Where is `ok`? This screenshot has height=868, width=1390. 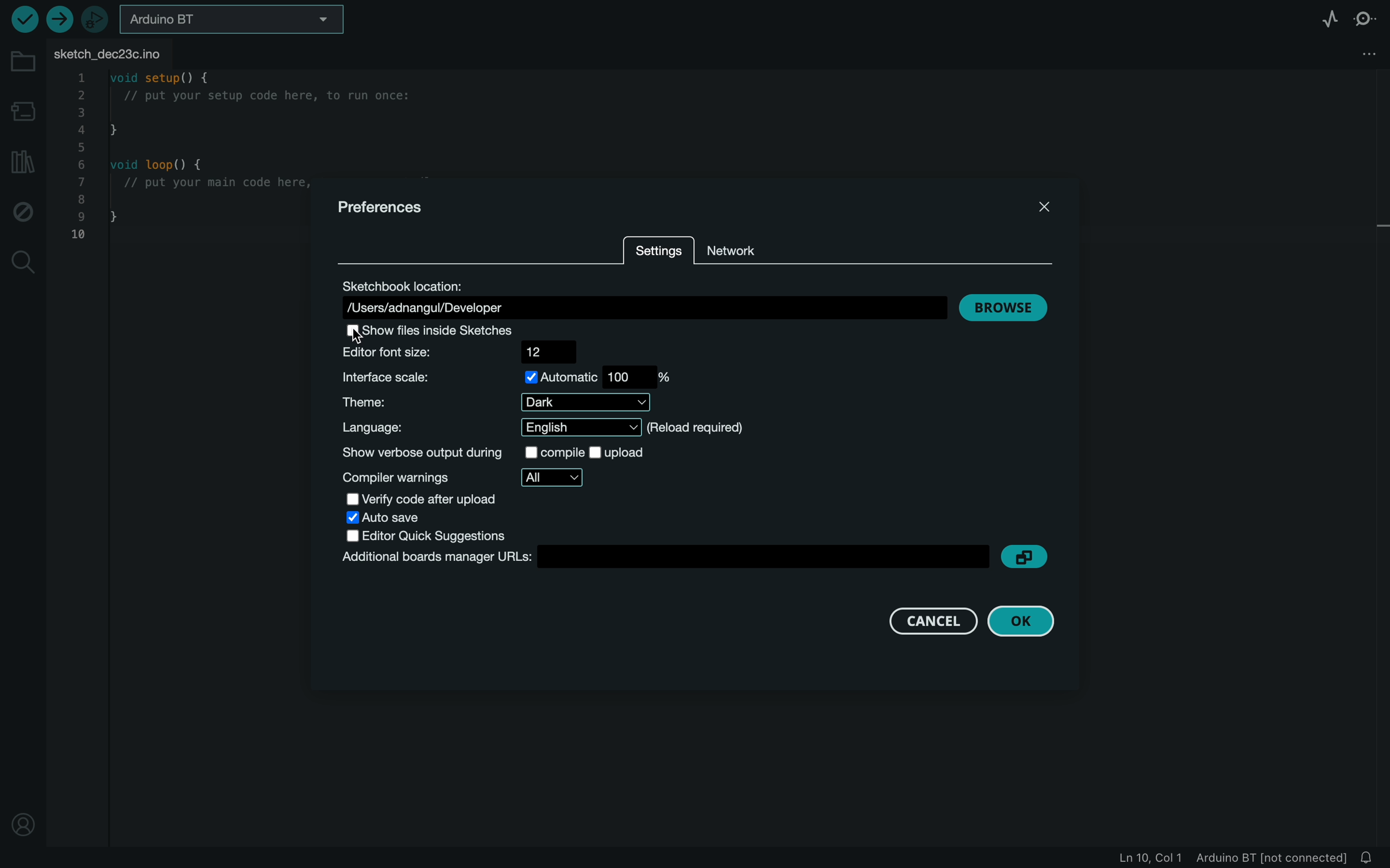 ok is located at coordinates (1030, 620).